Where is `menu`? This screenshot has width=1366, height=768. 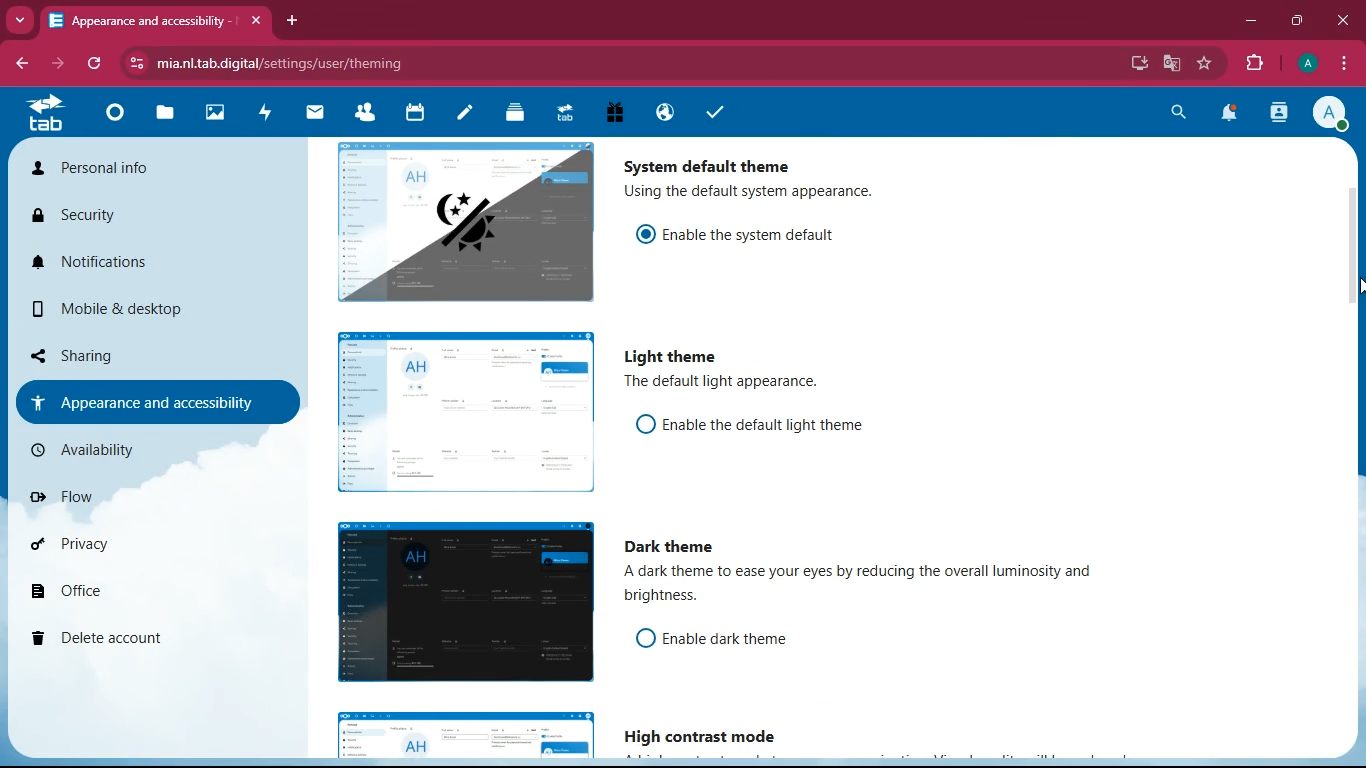 menu is located at coordinates (1345, 64).